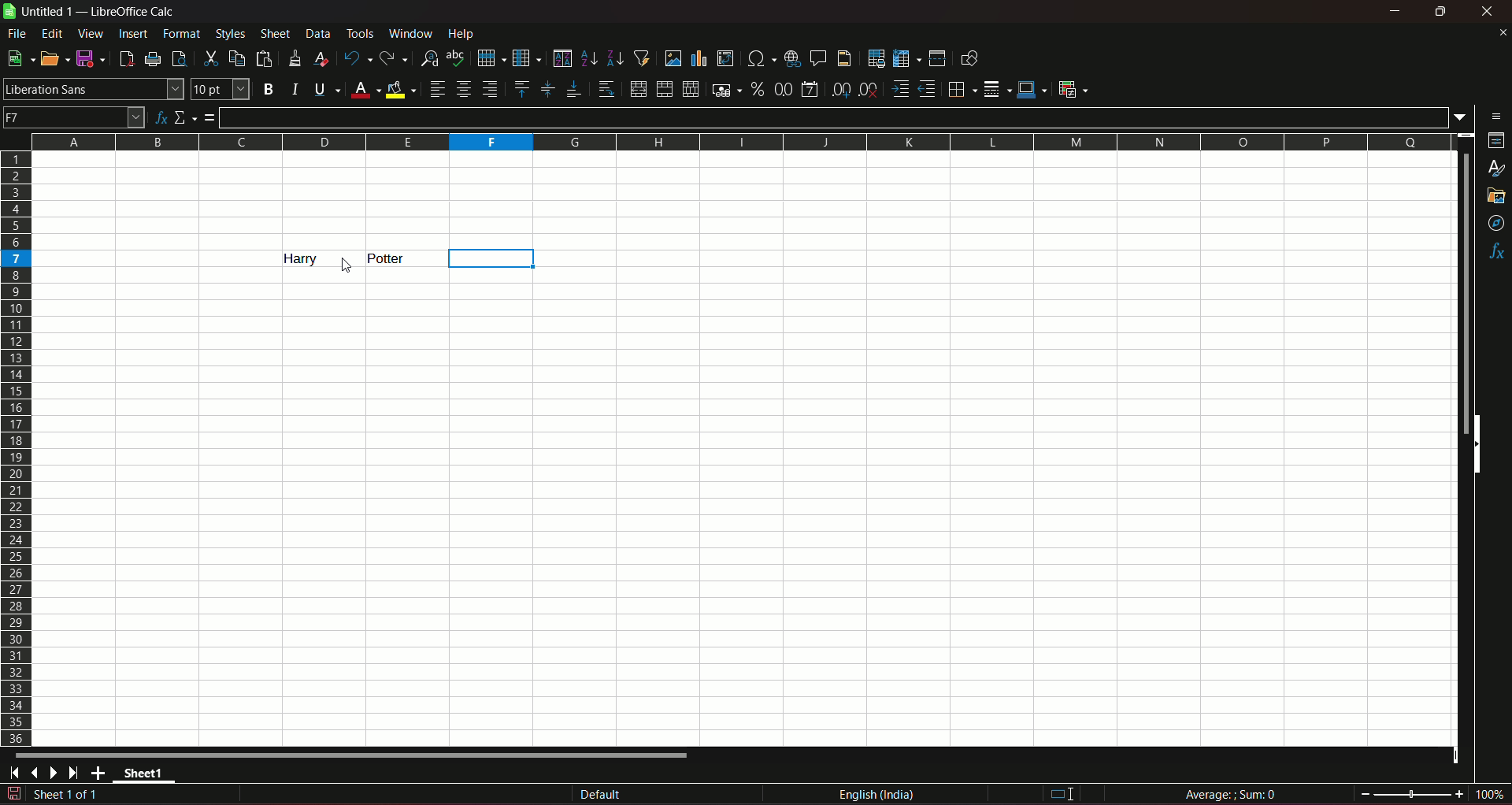  Describe the element at coordinates (237, 58) in the screenshot. I see `copy` at that location.